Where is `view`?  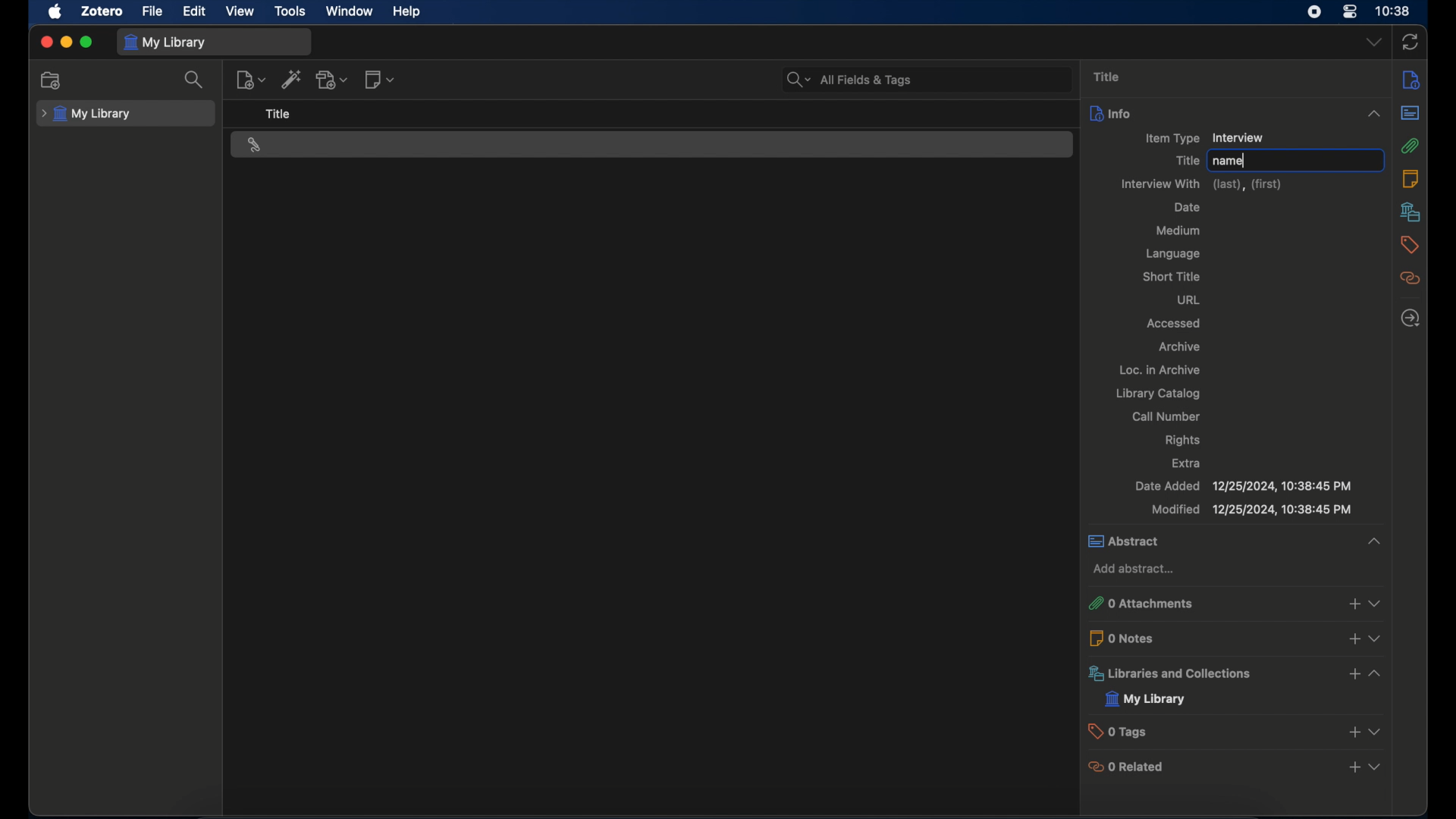
view is located at coordinates (1375, 673).